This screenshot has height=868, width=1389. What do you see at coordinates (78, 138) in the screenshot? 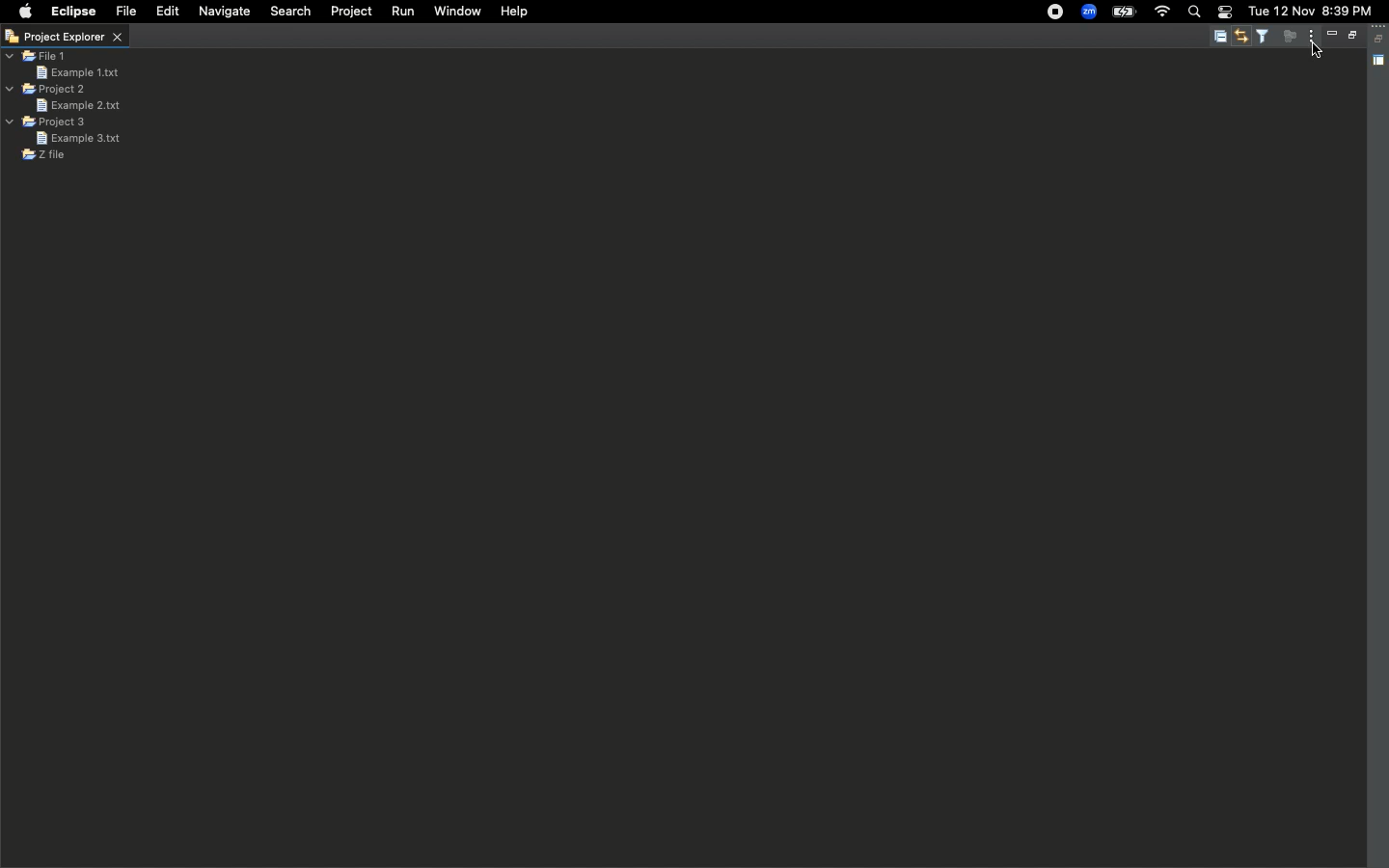
I see `Example 3 text file` at bounding box center [78, 138].